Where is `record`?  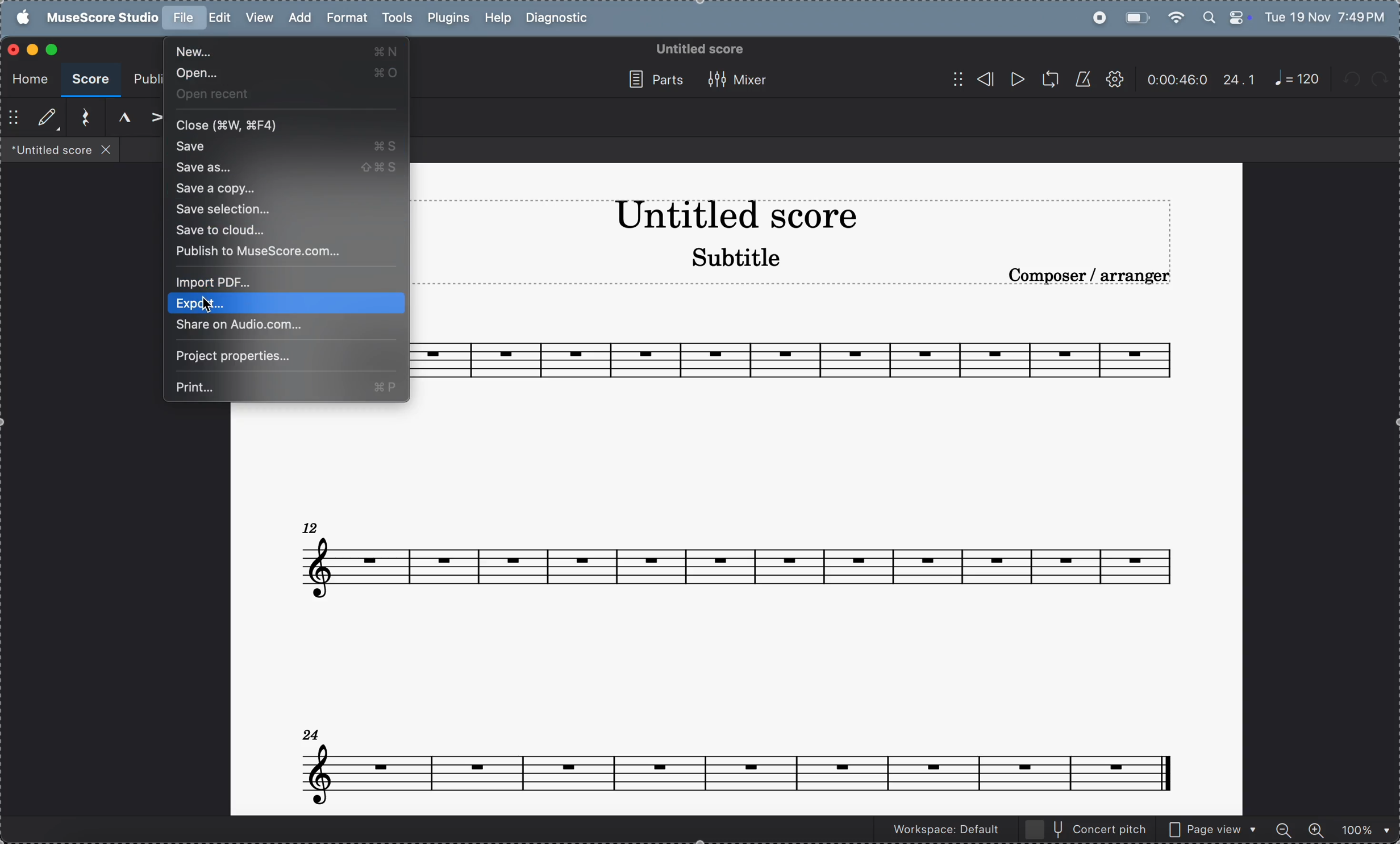
record is located at coordinates (1096, 18).